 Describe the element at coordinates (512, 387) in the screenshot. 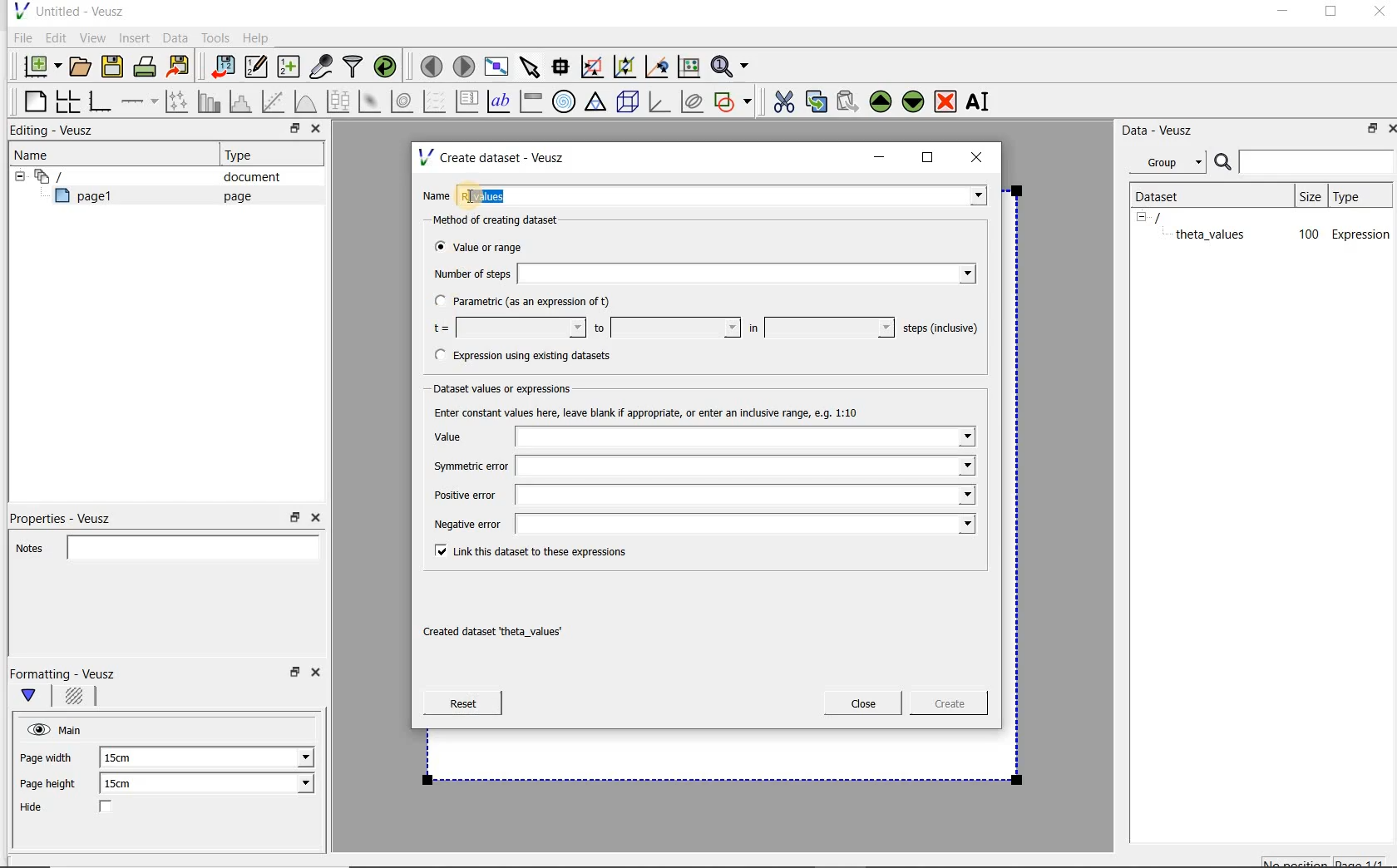

I see `Dataset values or expressions` at that location.